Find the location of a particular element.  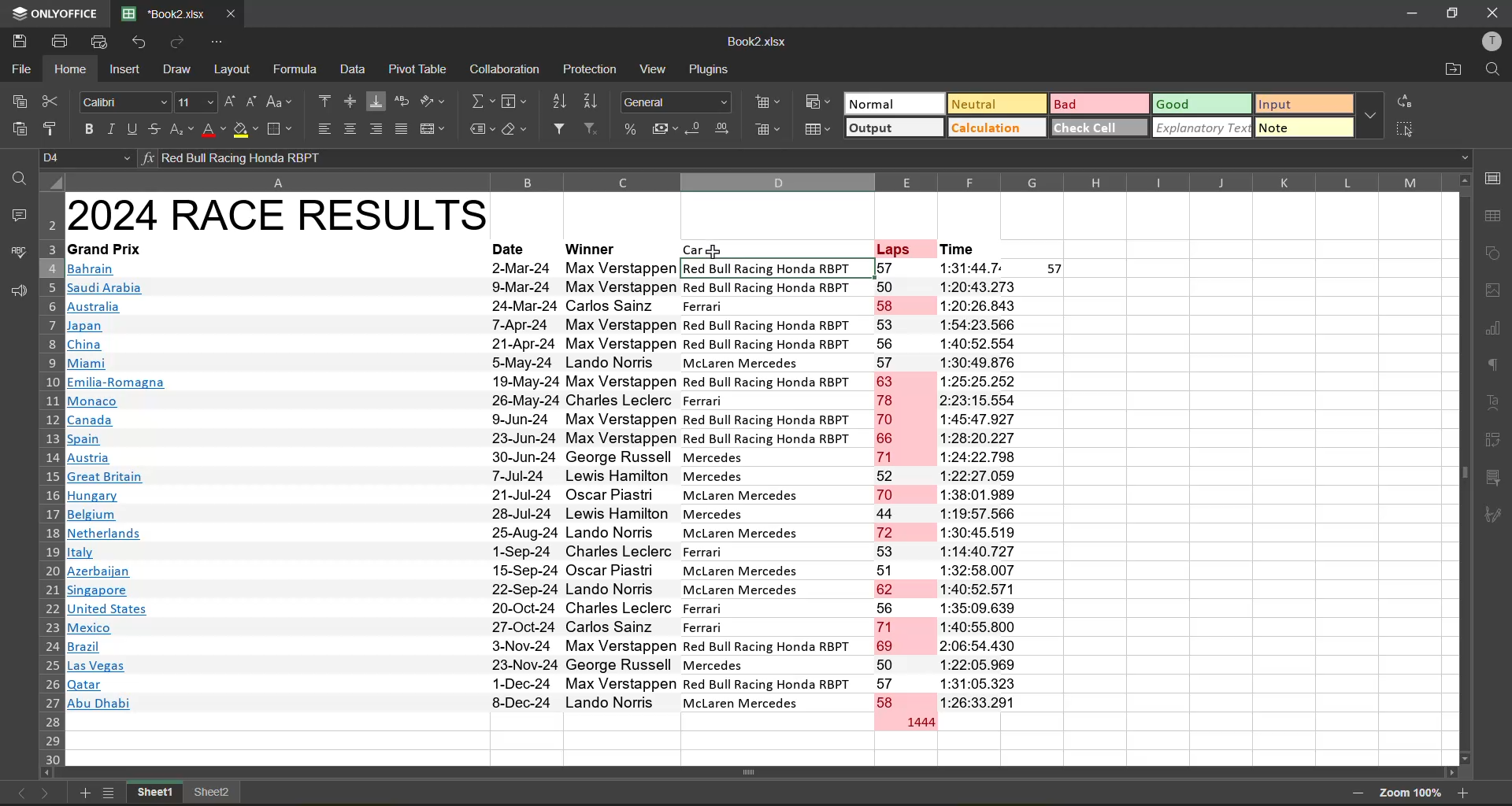

redo is located at coordinates (176, 42).